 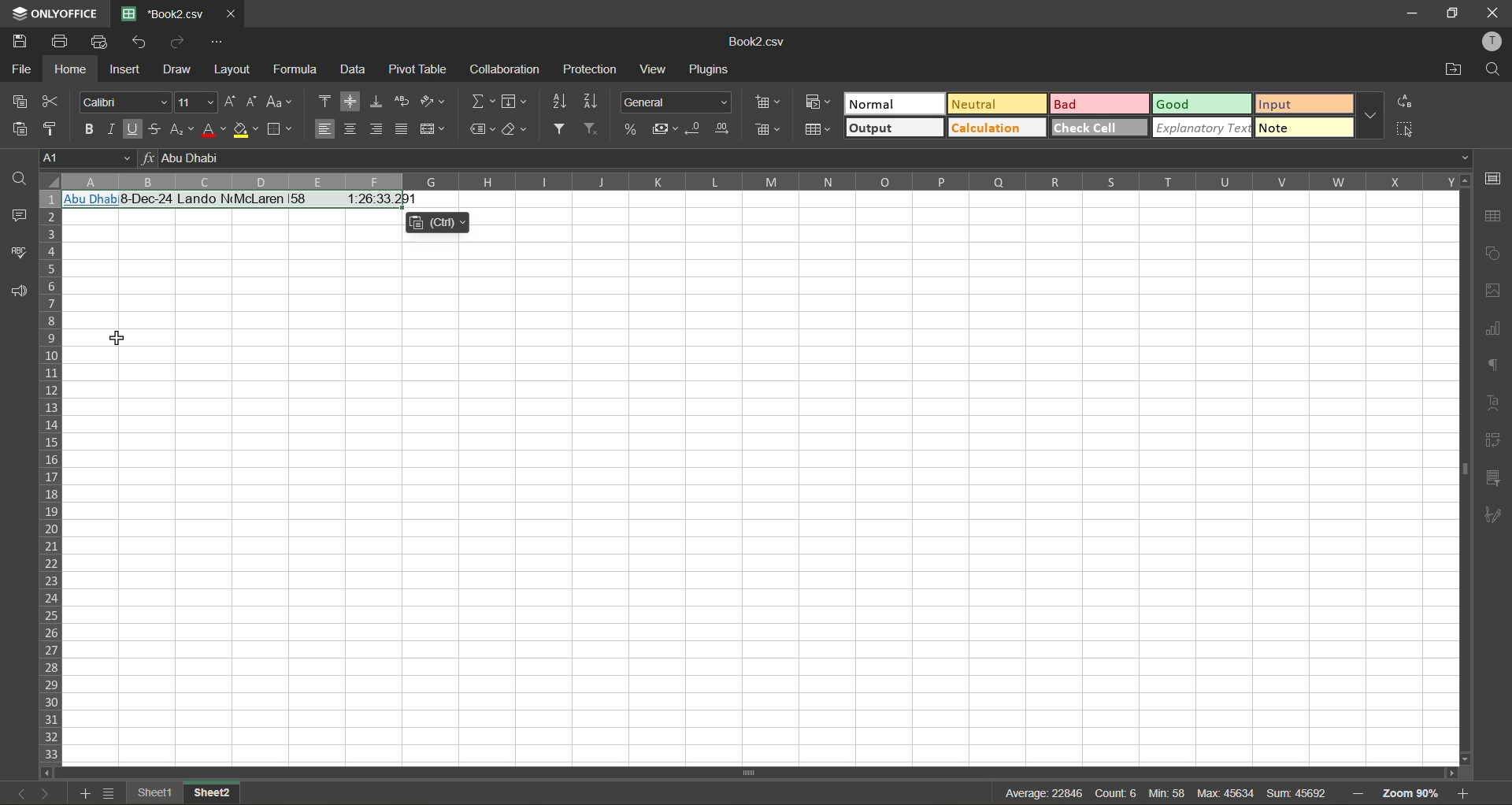 I want to click on slicer, so click(x=1494, y=479).